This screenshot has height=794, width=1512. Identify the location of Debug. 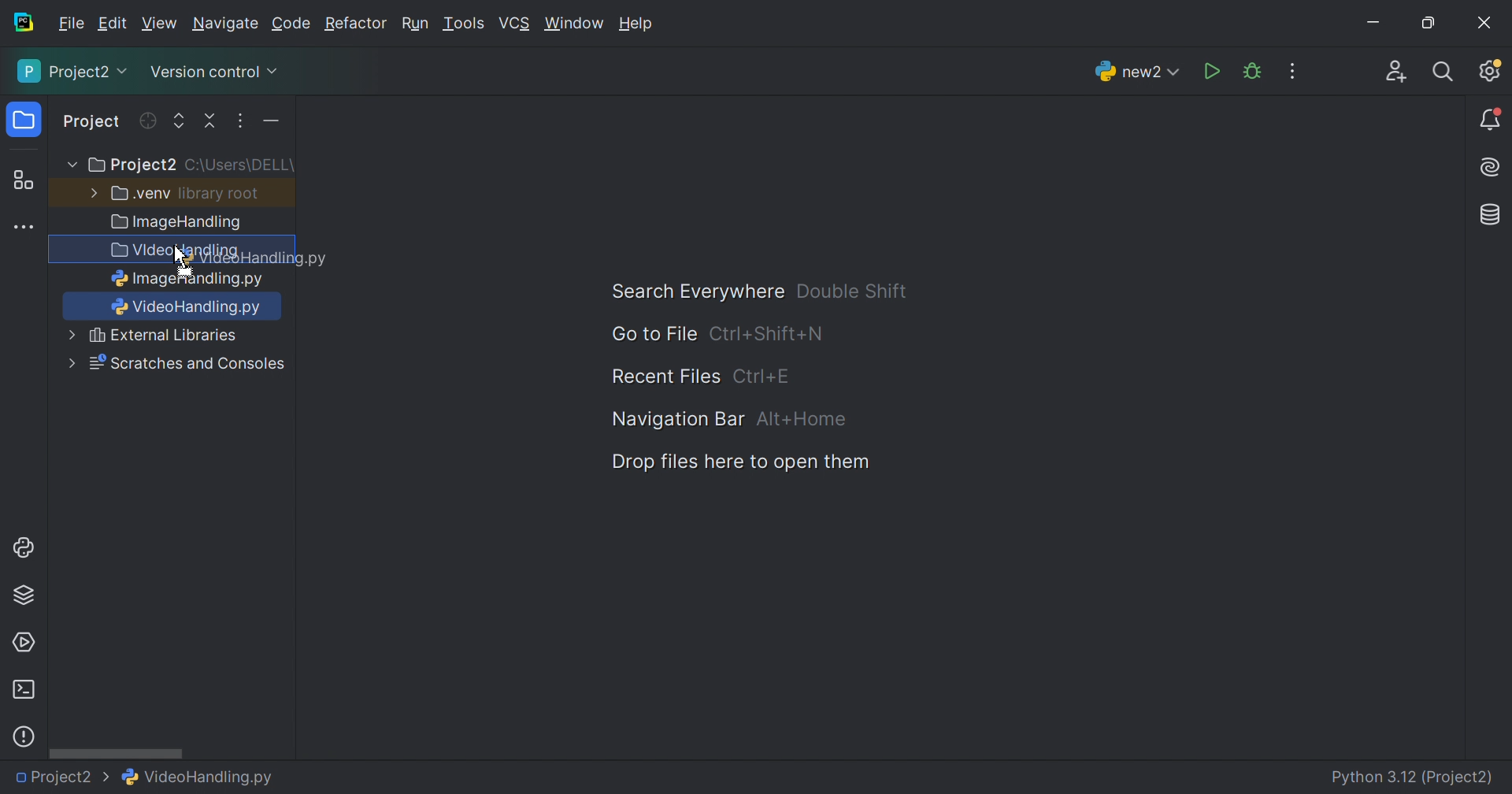
(1252, 72).